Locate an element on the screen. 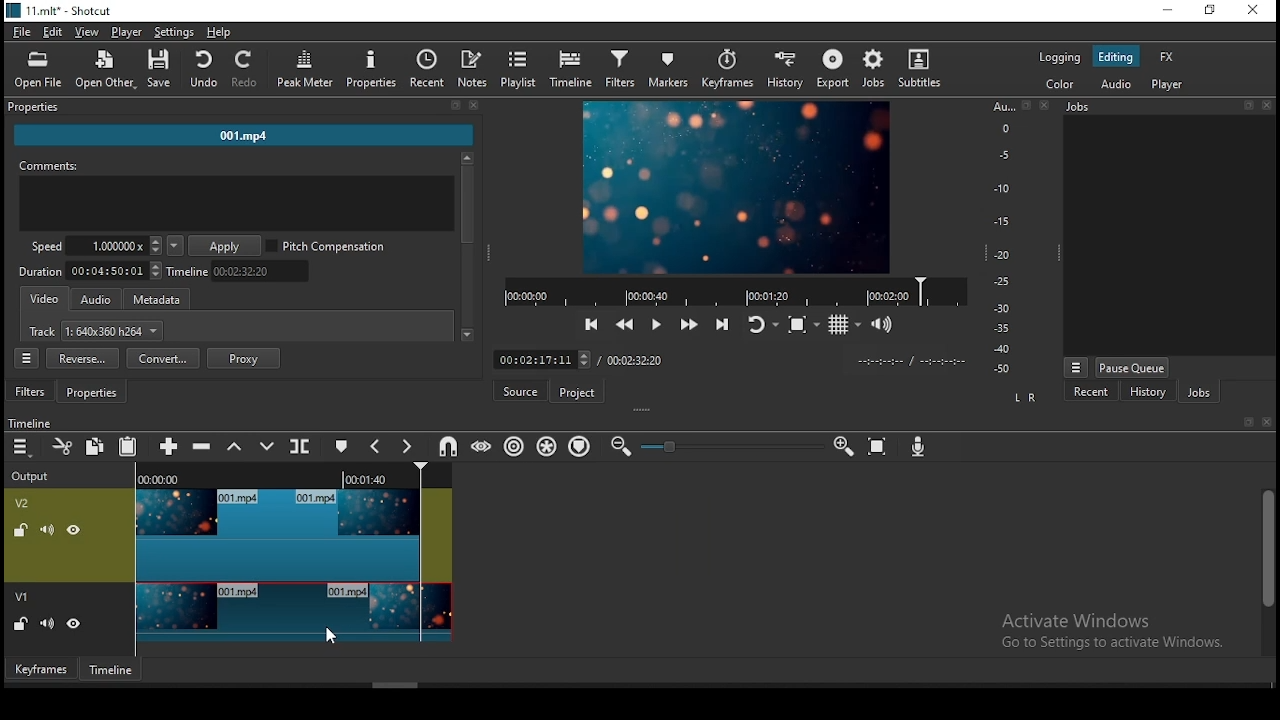  audio is located at coordinates (96, 300).